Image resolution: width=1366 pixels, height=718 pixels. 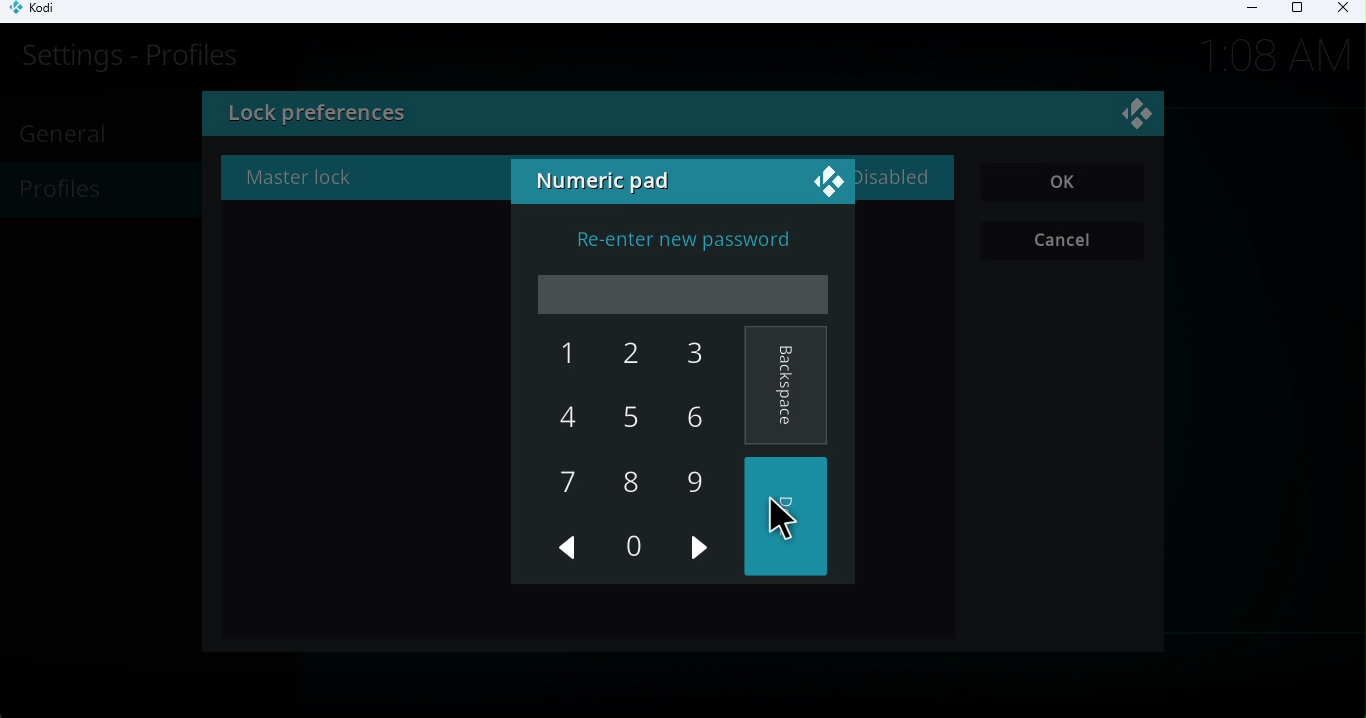 What do you see at coordinates (786, 386) in the screenshot?
I see `Backspace` at bounding box center [786, 386].